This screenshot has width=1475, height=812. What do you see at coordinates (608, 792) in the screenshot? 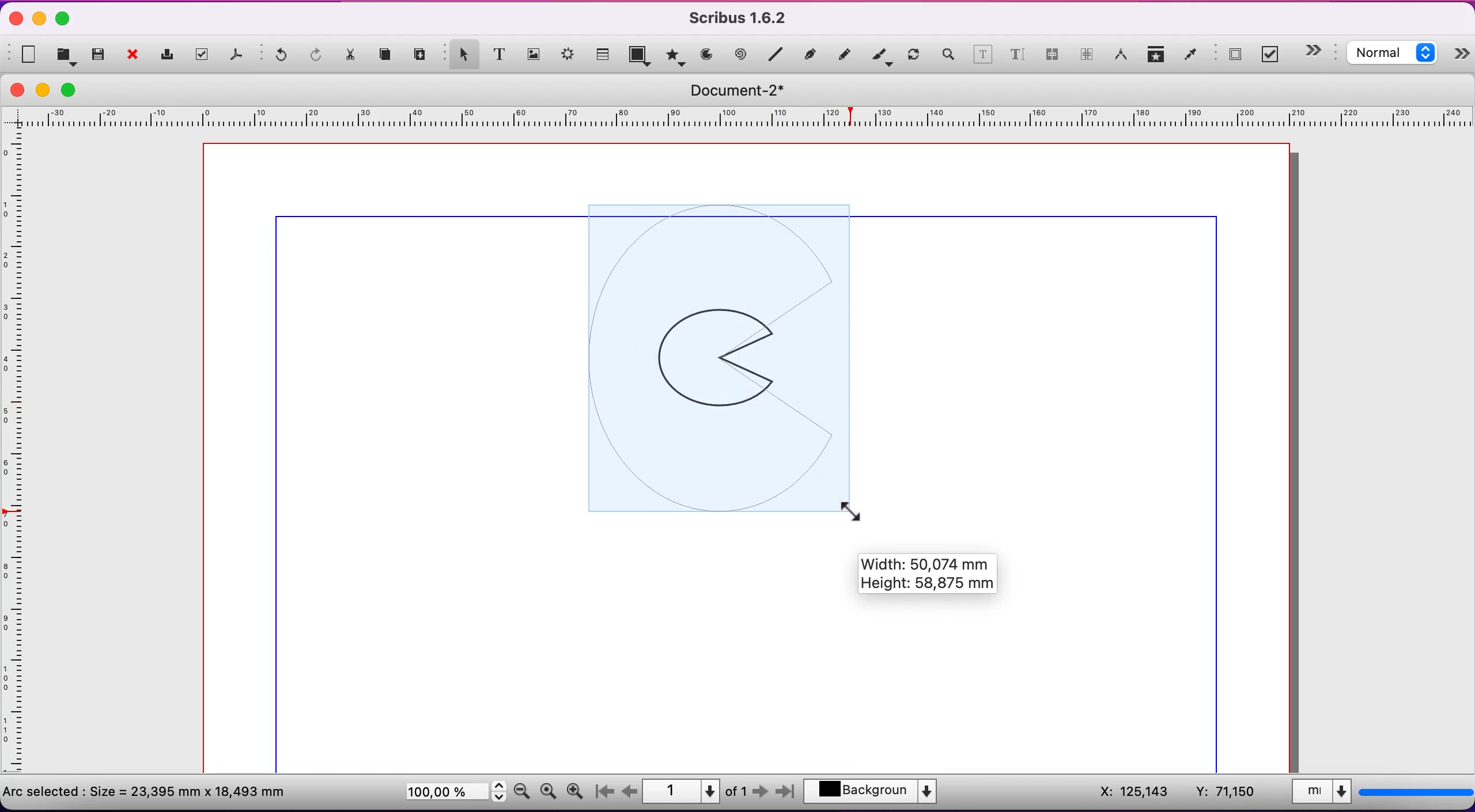
I see `go to the first page` at bounding box center [608, 792].